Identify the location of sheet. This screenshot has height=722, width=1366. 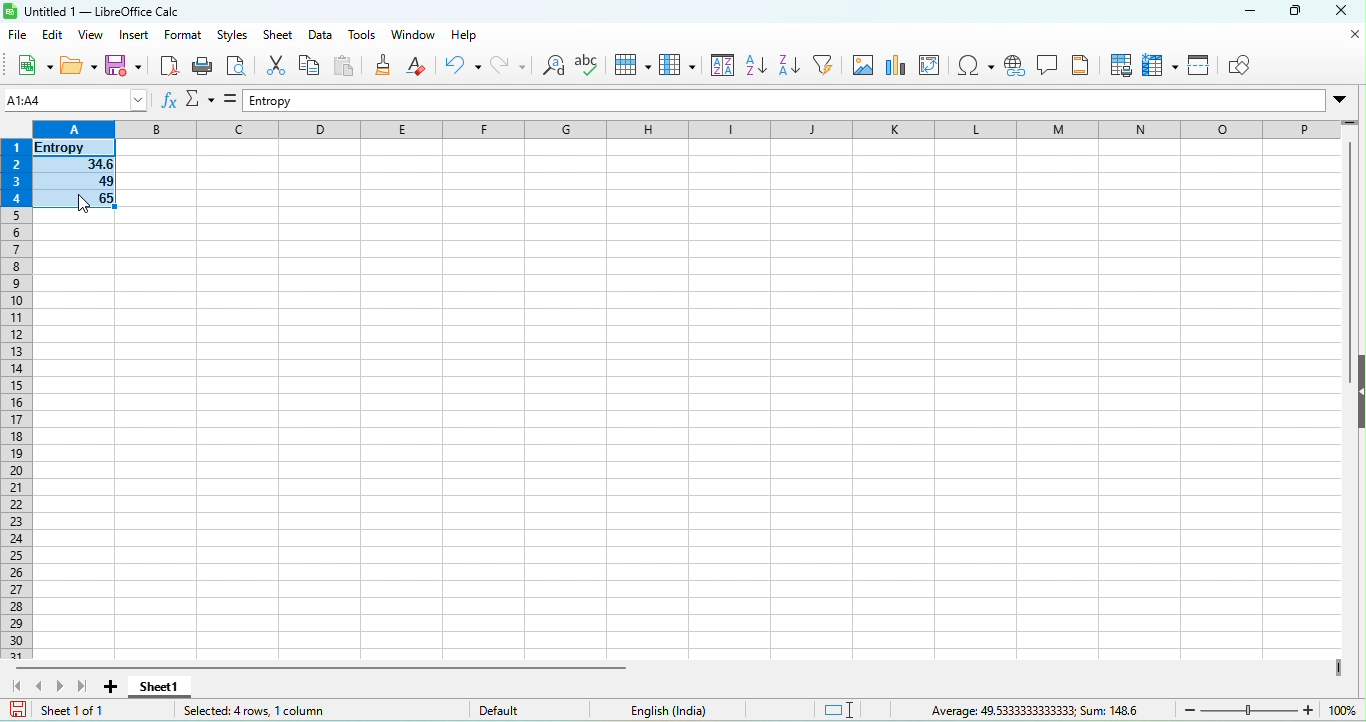
(278, 37).